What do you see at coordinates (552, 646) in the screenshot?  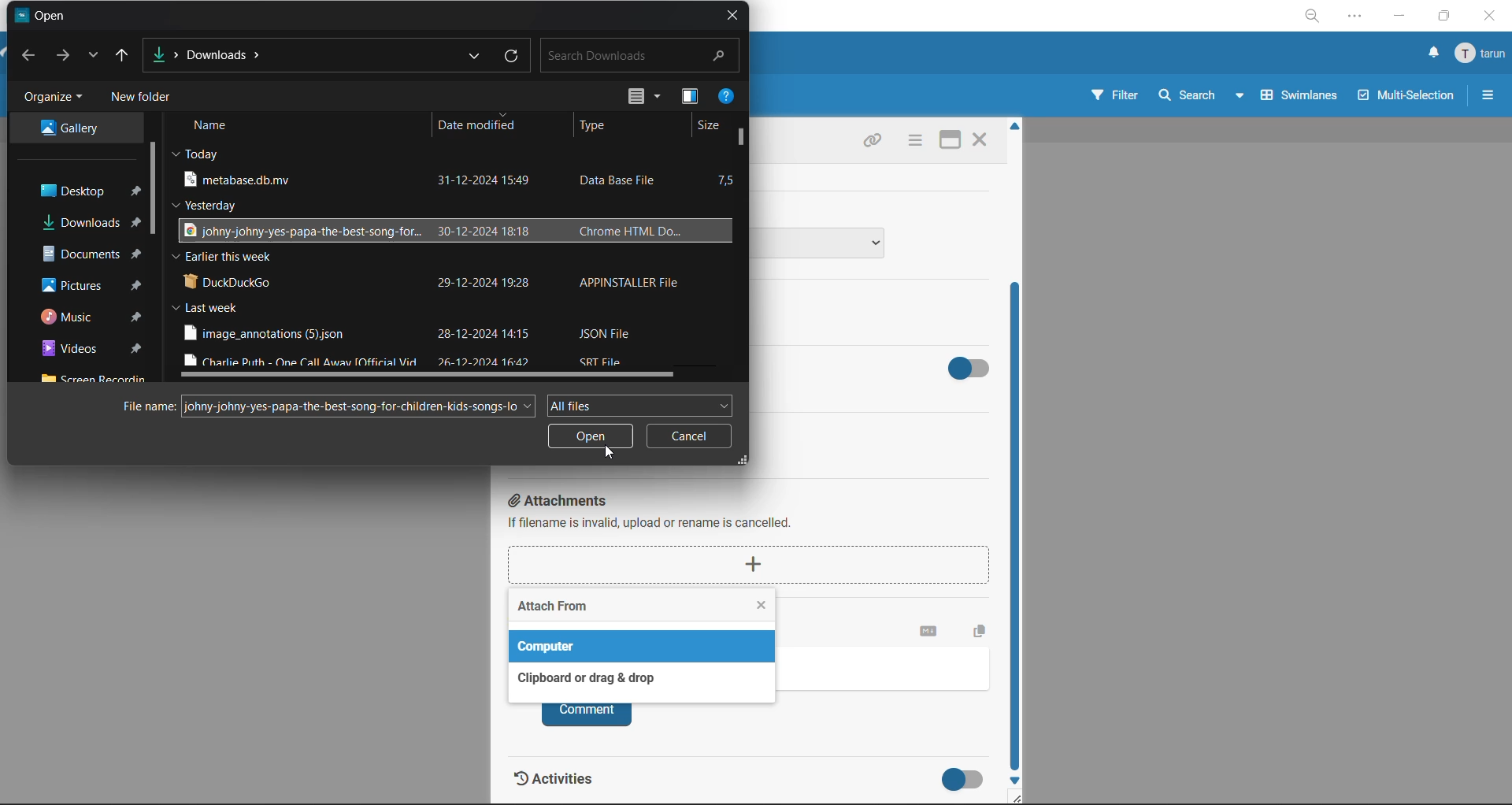 I see `computer` at bounding box center [552, 646].